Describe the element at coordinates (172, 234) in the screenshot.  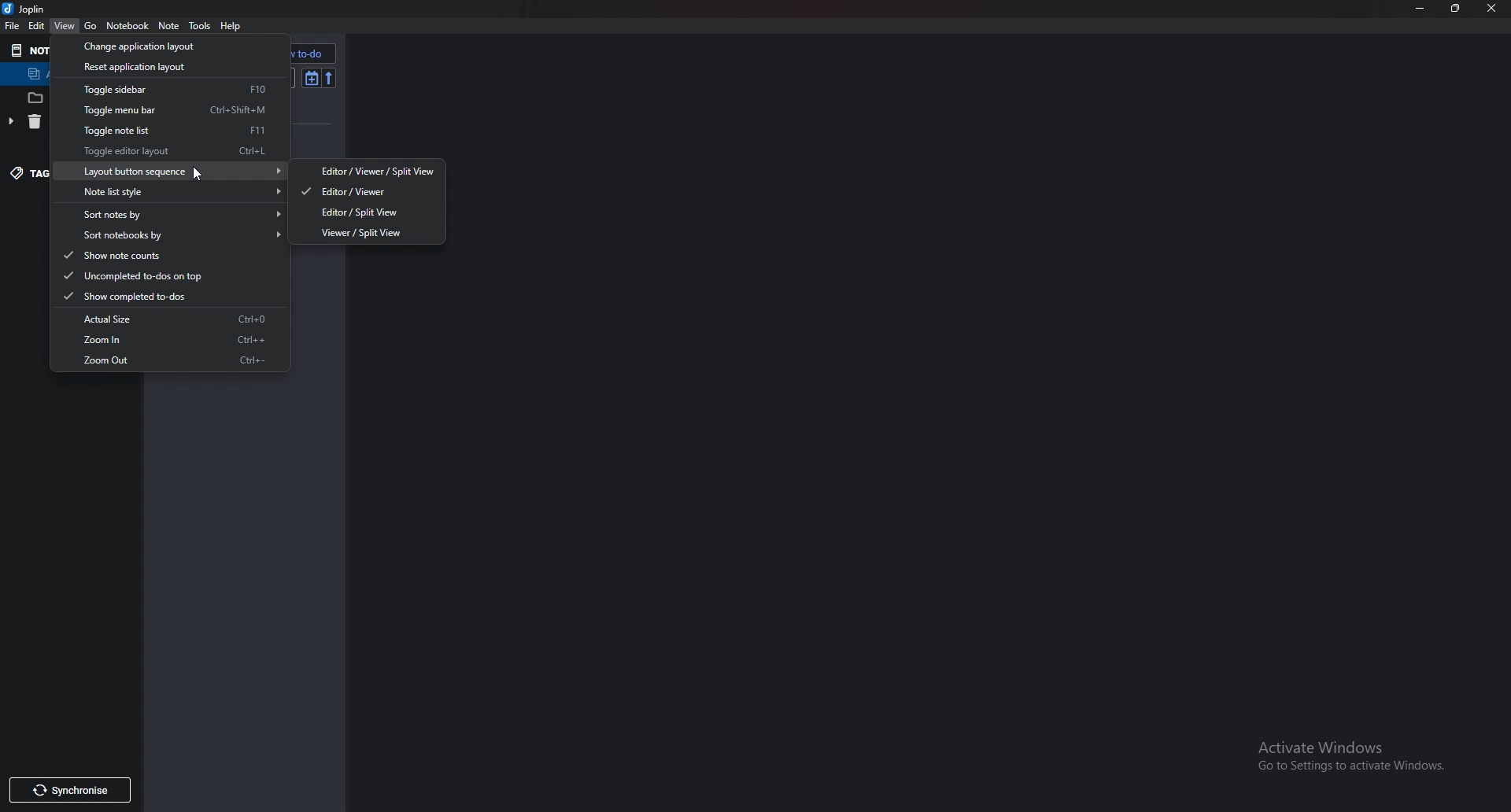
I see `sort notebook by` at that location.